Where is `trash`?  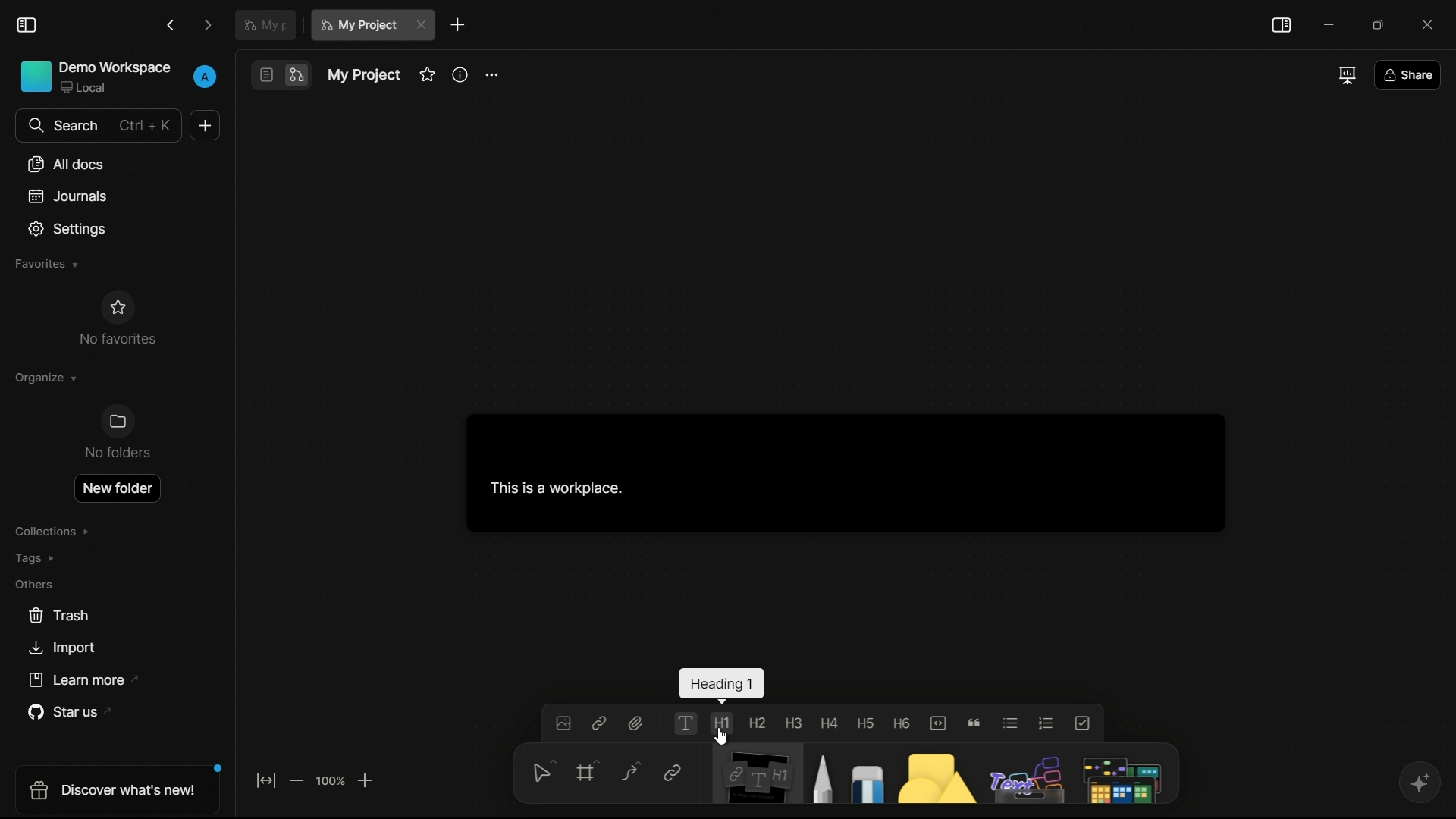
trash is located at coordinates (57, 616).